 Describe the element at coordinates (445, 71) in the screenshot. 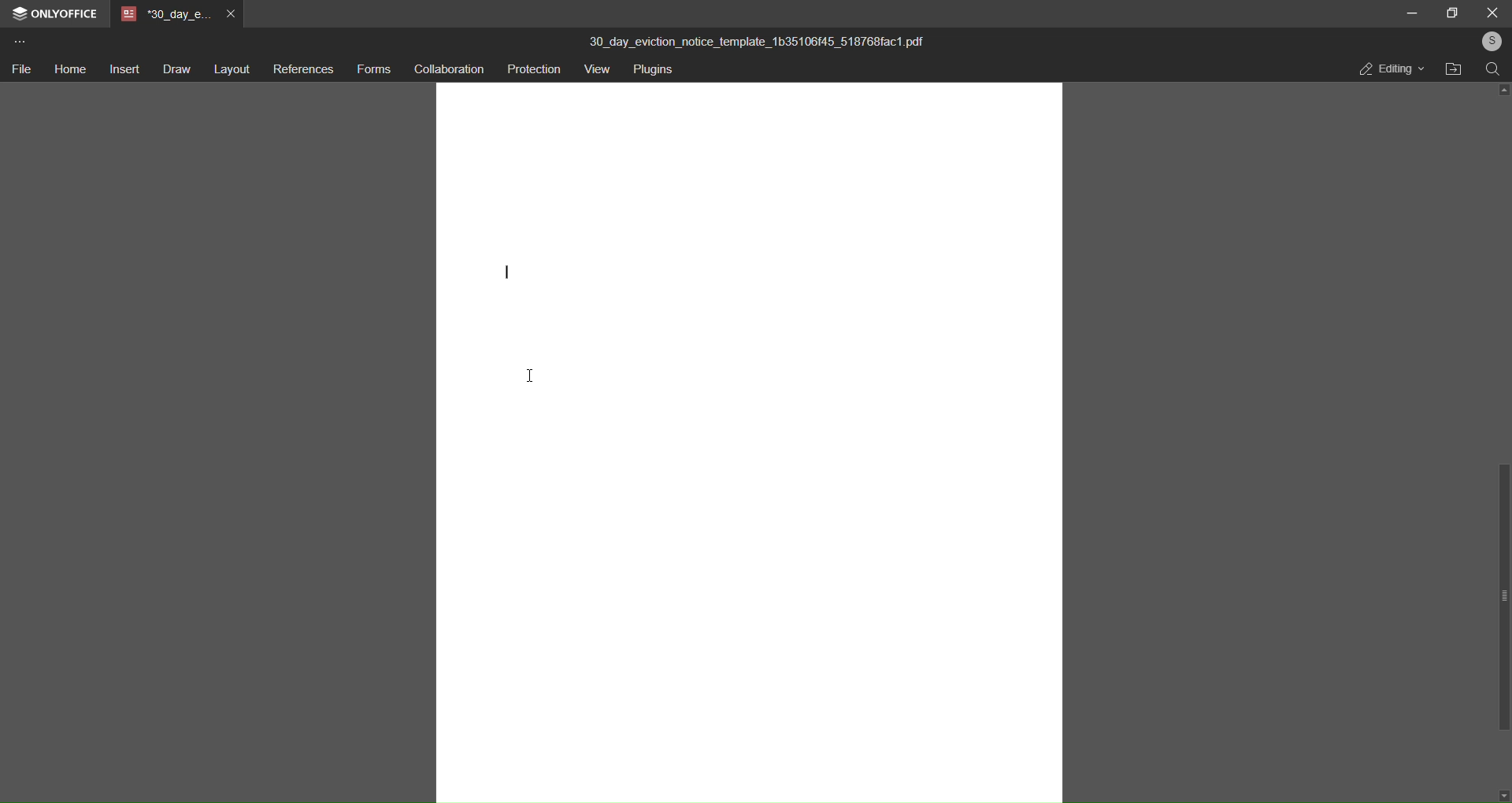

I see `collaboration` at that location.